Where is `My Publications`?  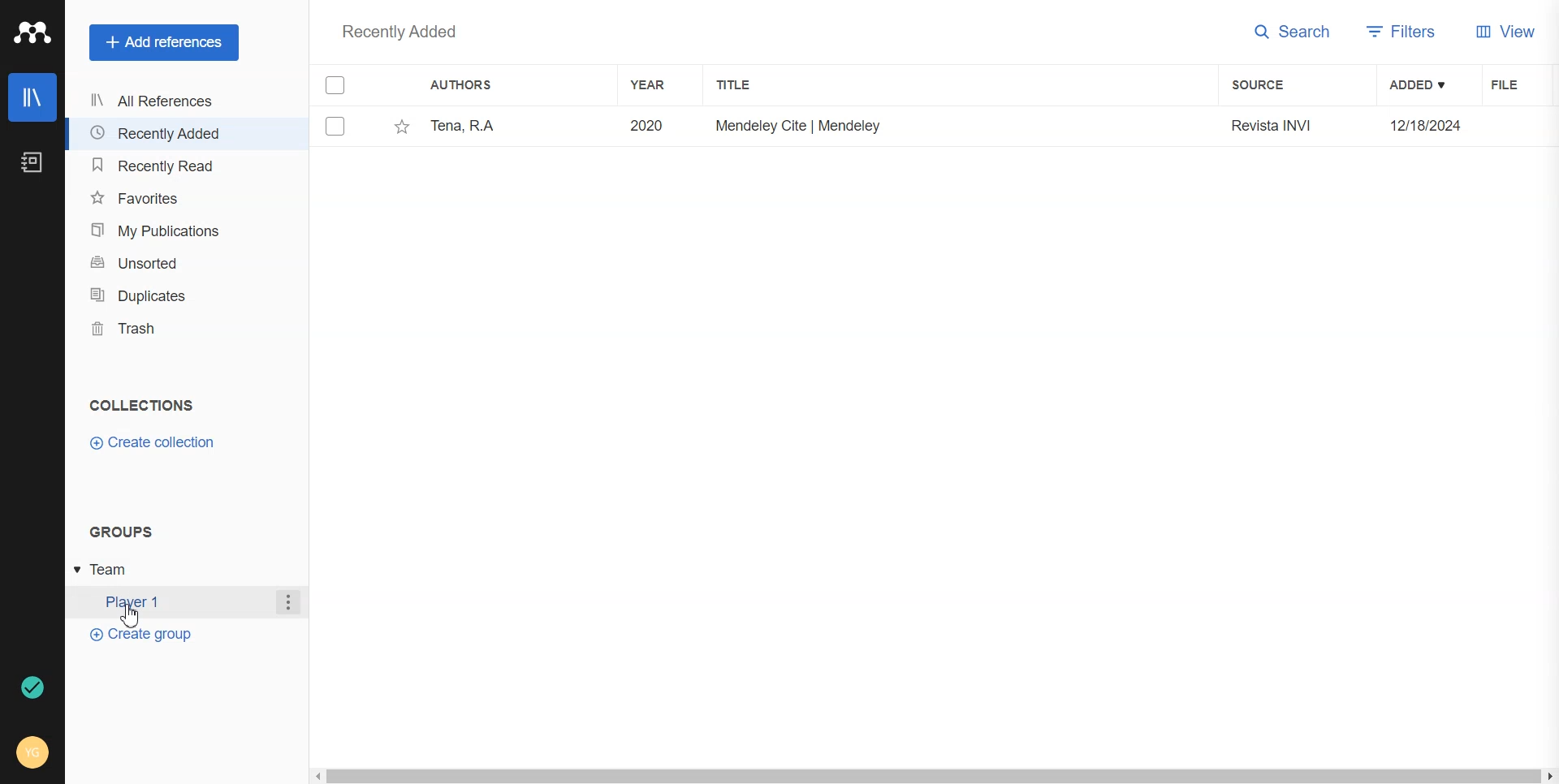 My Publications is located at coordinates (165, 230).